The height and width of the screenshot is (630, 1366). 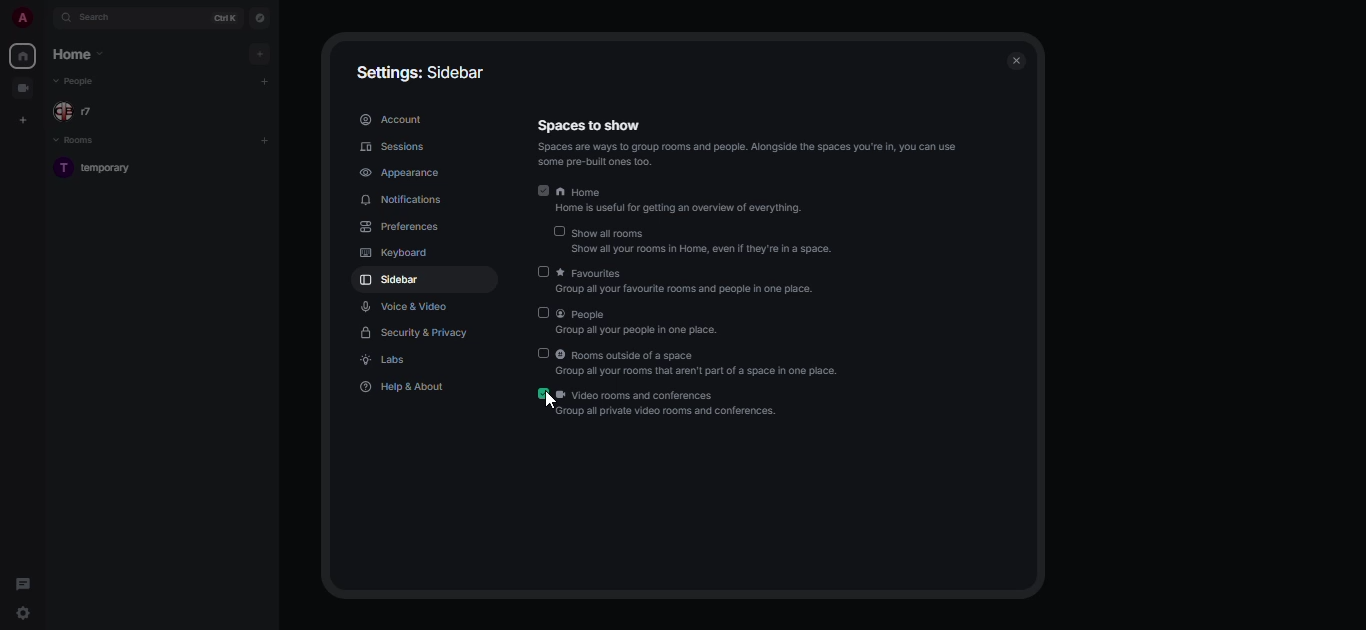 What do you see at coordinates (21, 120) in the screenshot?
I see `create space` at bounding box center [21, 120].